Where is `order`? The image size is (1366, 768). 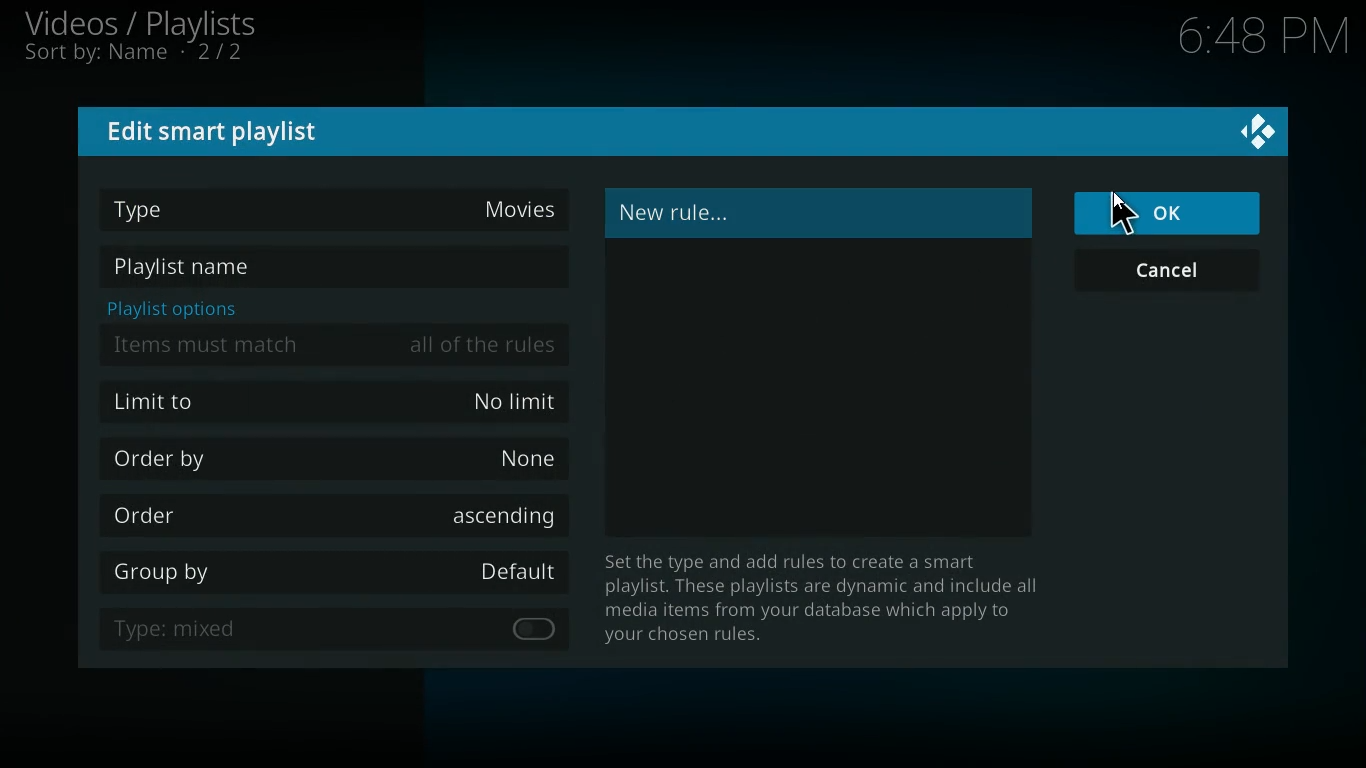 order is located at coordinates (338, 516).